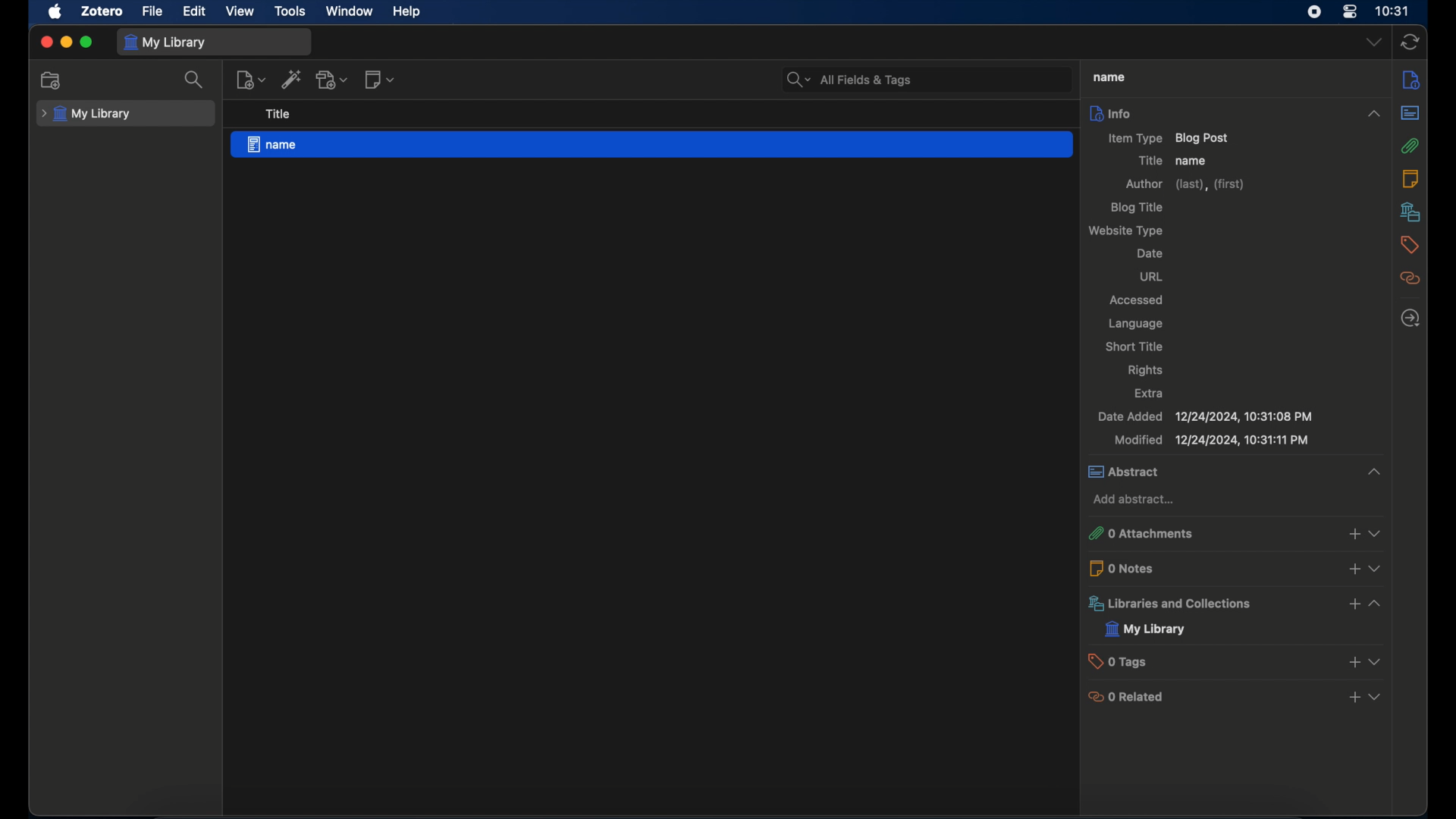 The image size is (1456, 819). I want to click on language, so click(1137, 325).